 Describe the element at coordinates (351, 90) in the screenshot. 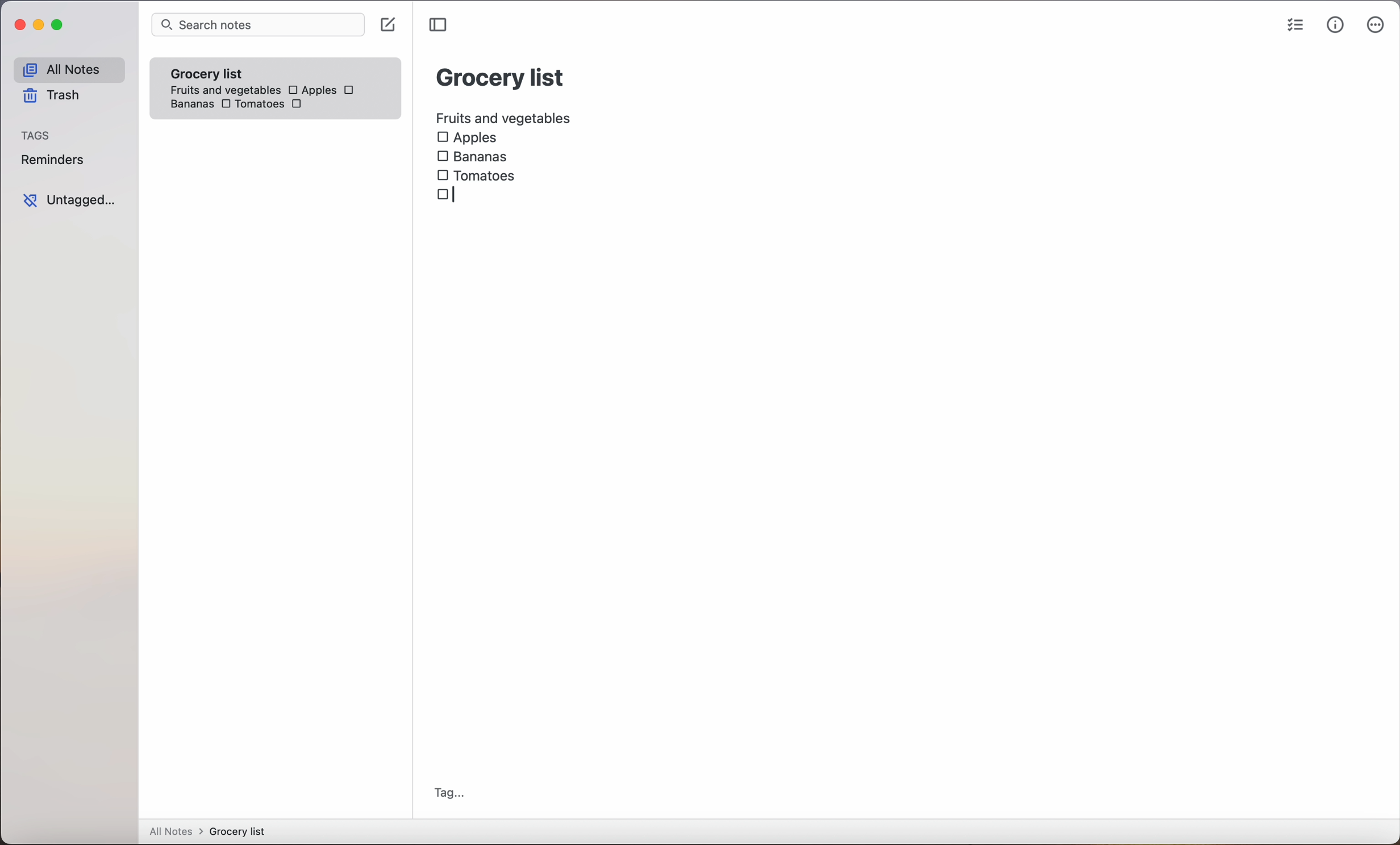

I see `checkbox` at that location.